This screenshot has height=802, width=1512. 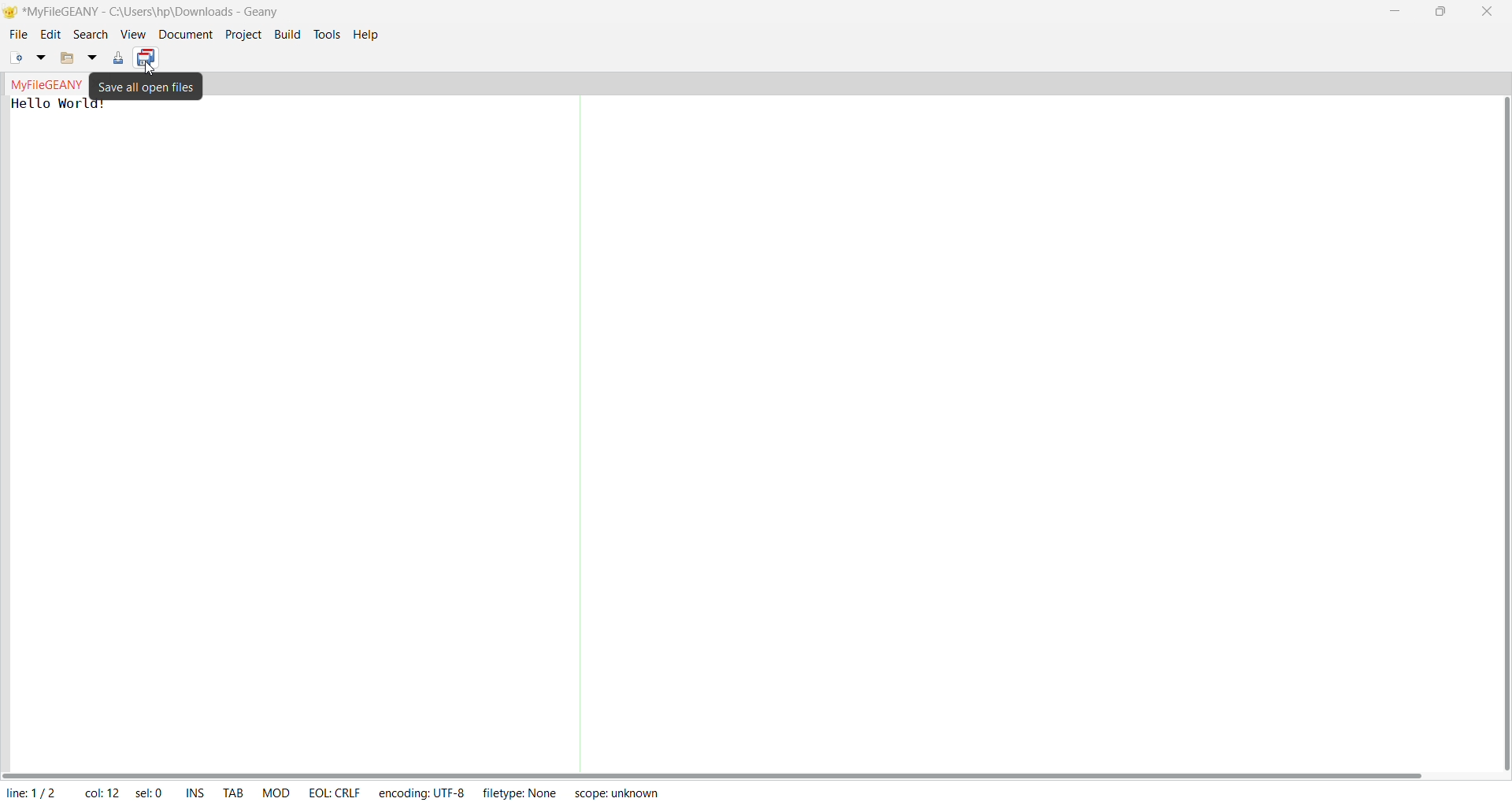 I want to click on Search, so click(x=87, y=35).